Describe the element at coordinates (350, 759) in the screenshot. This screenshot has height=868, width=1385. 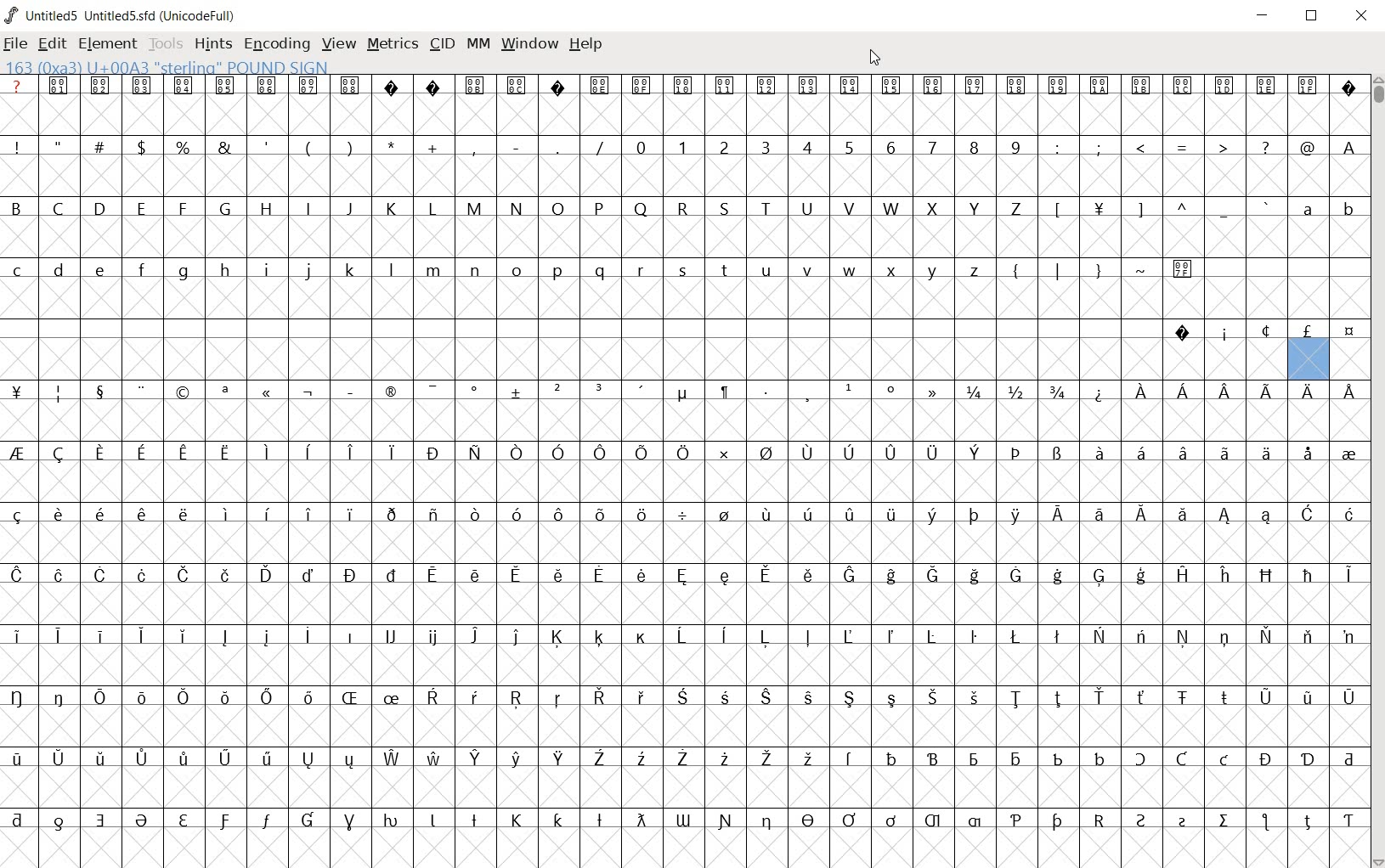
I see `Symbol` at that location.